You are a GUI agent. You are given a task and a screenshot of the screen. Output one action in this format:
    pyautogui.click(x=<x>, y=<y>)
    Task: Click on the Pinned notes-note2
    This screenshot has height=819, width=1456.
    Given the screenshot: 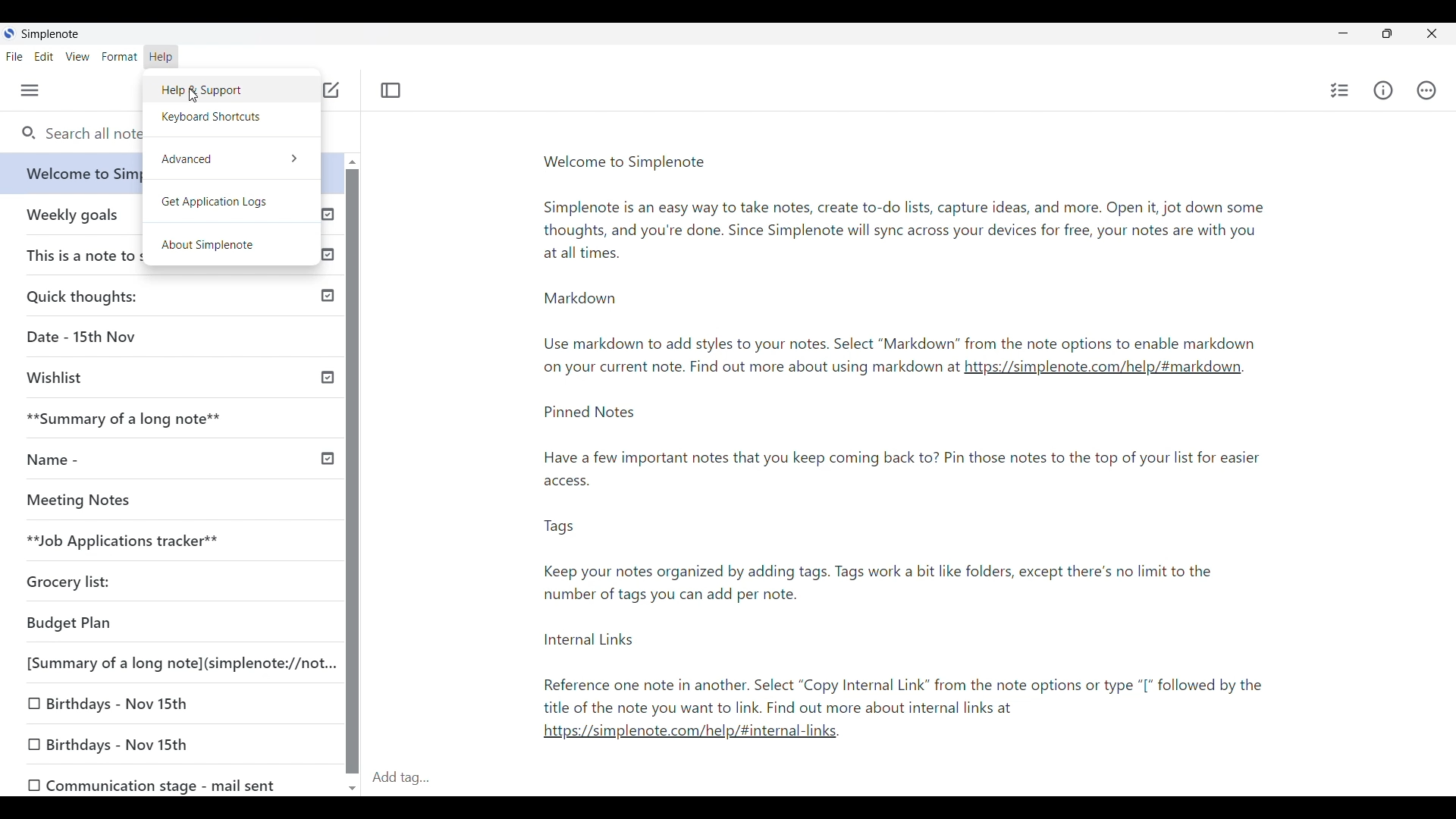 What is the action you would take?
    pyautogui.click(x=903, y=554)
    